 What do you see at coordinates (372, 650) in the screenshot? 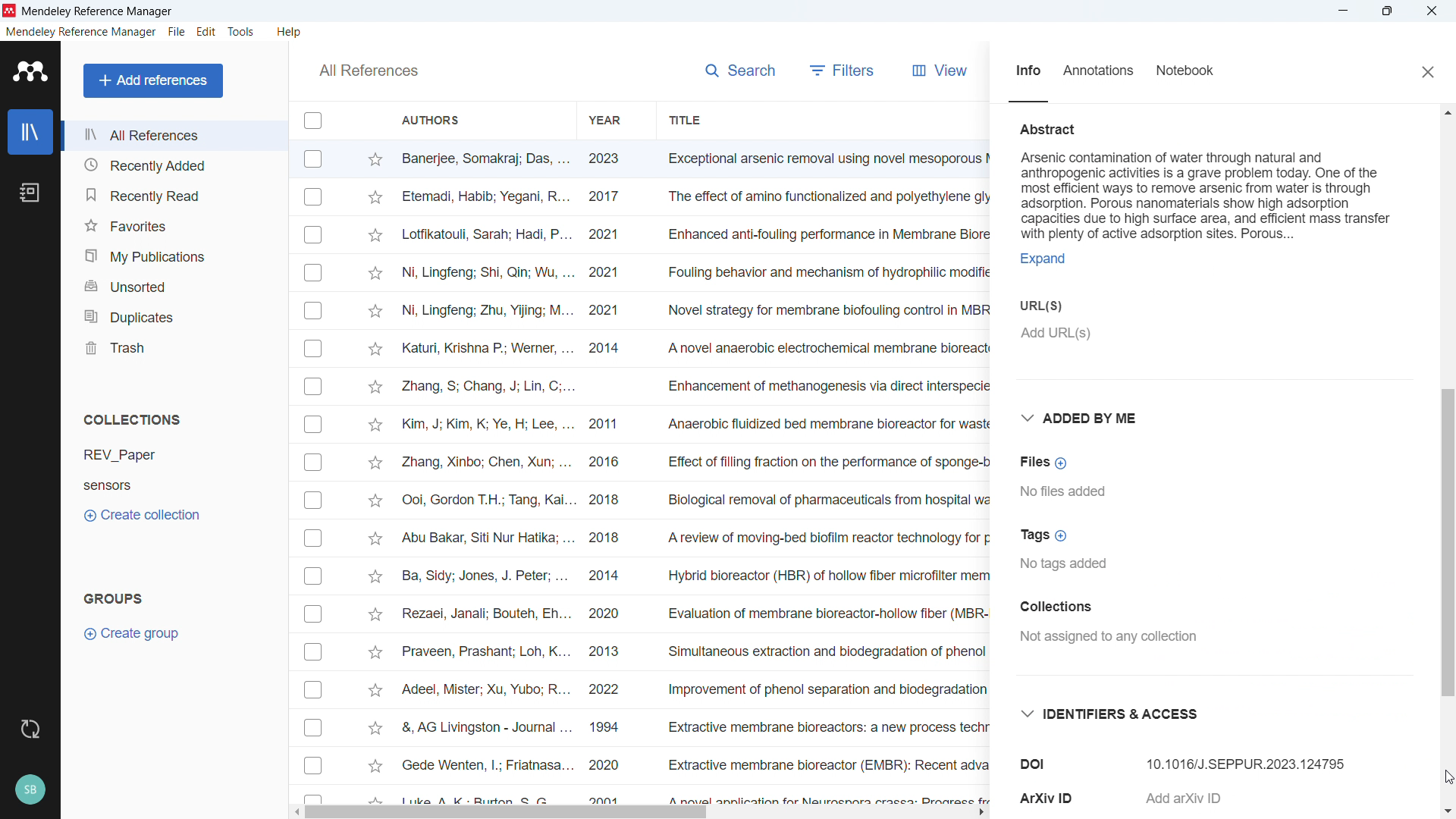
I see `click to starmark individuals entries` at bounding box center [372, 650].